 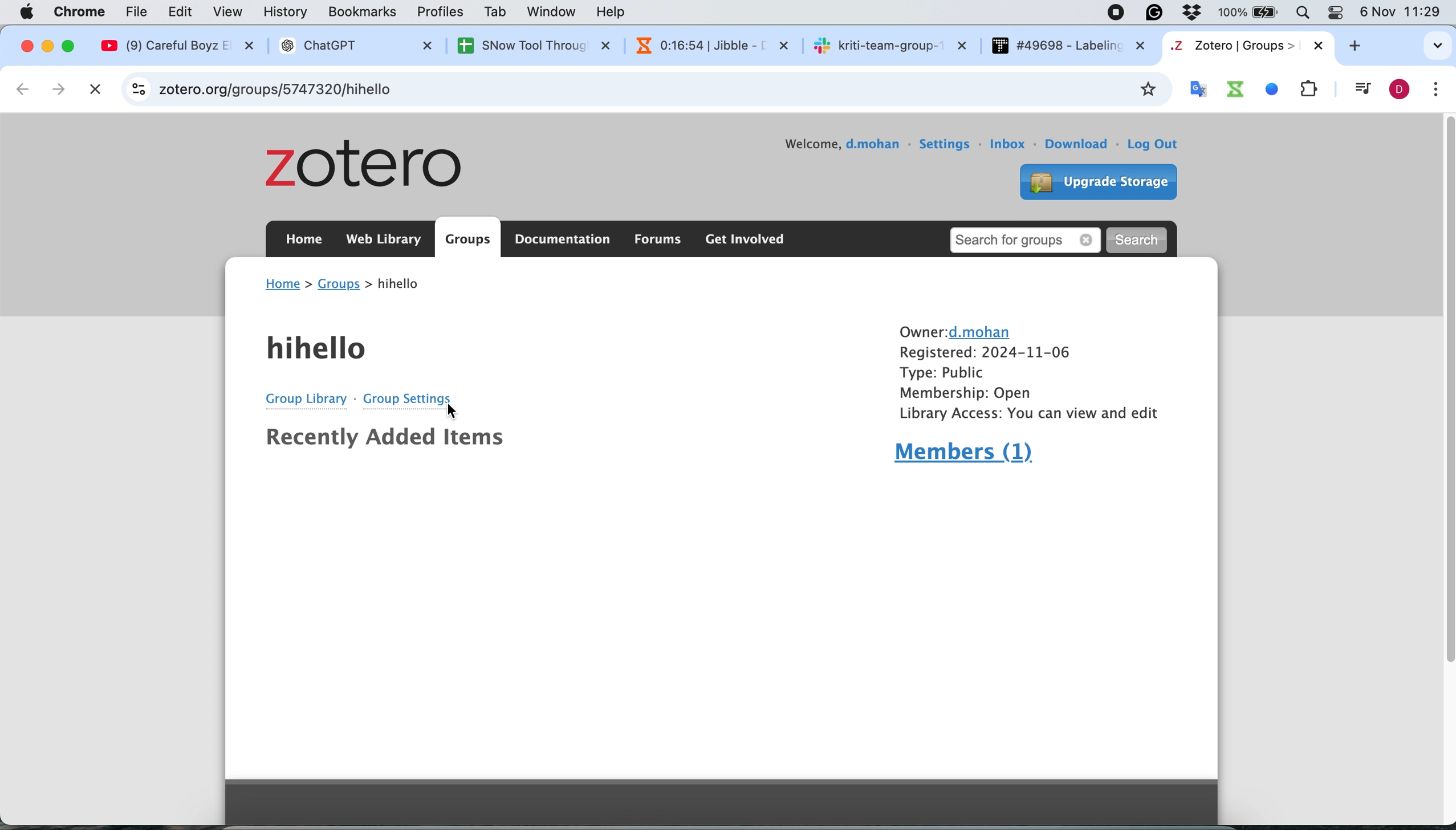 What do you see at coordinates (468, 240) in the screenshot?
I see `groups` at bounding box center [468, 240].